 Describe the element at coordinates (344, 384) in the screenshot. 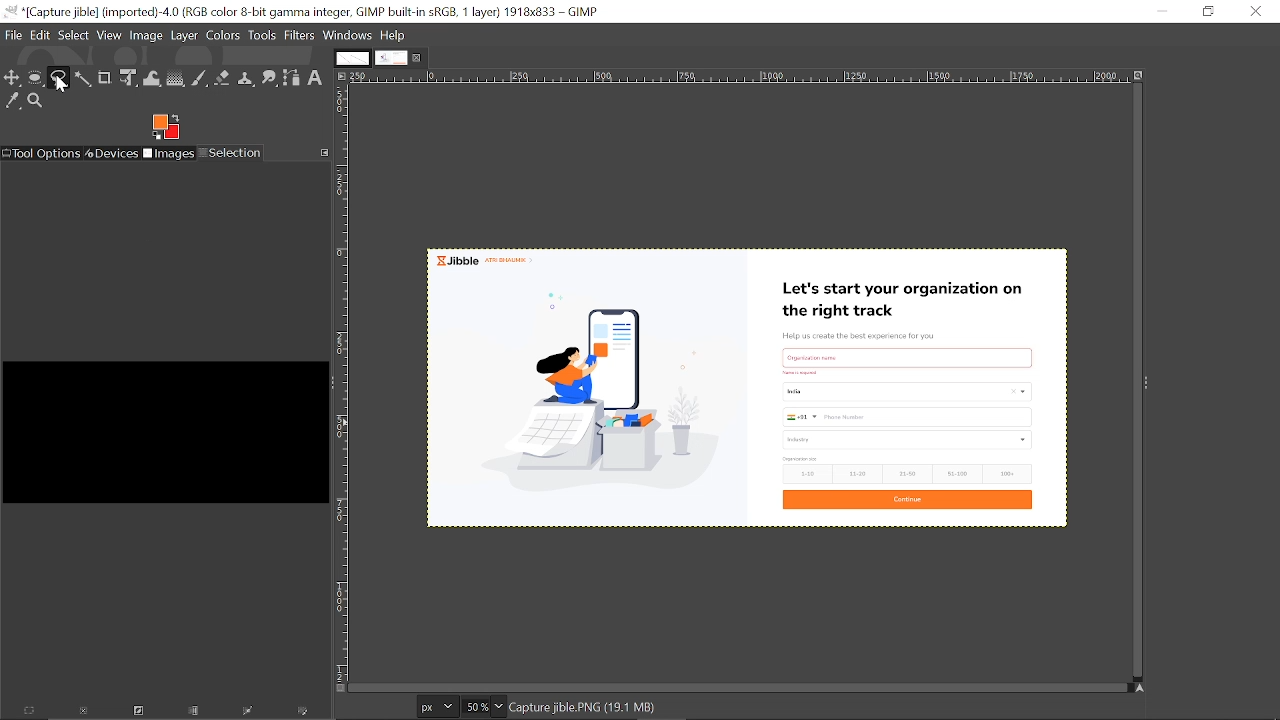

I see `Vertical label` at that location.